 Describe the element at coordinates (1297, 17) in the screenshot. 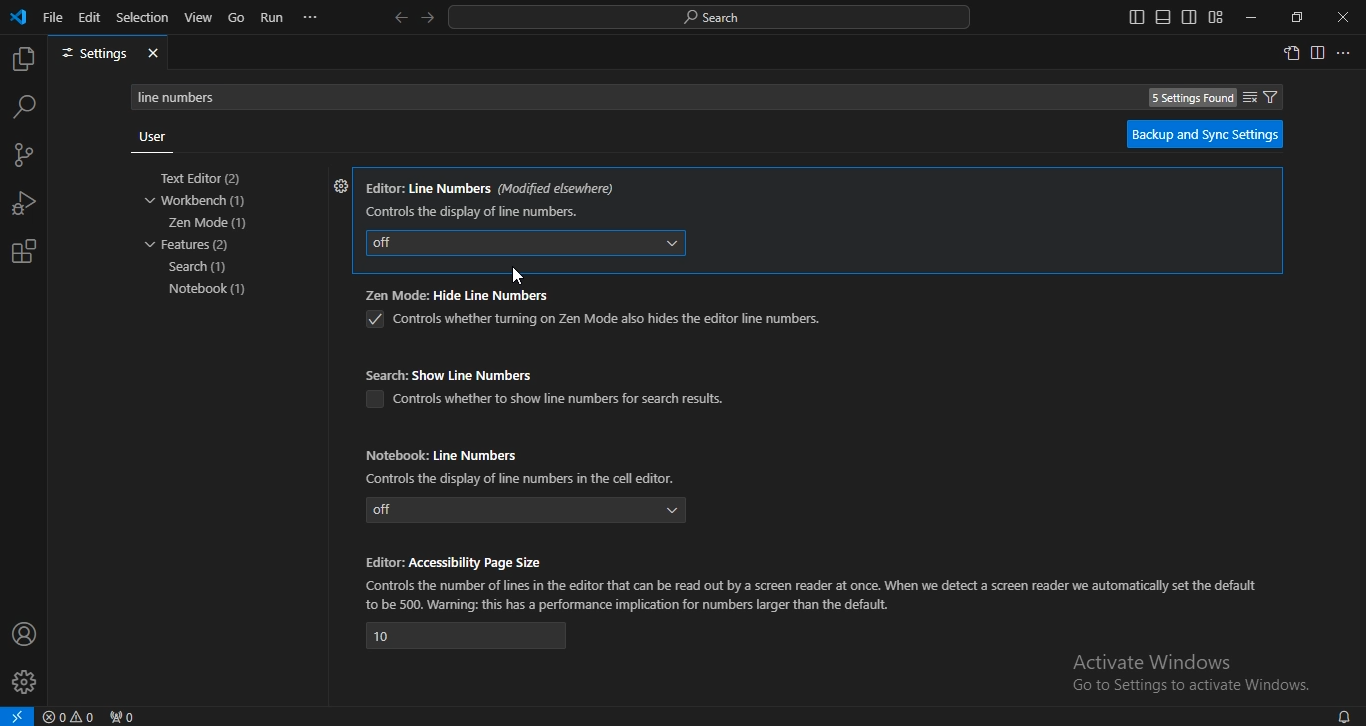

I see `restore down` at that location.